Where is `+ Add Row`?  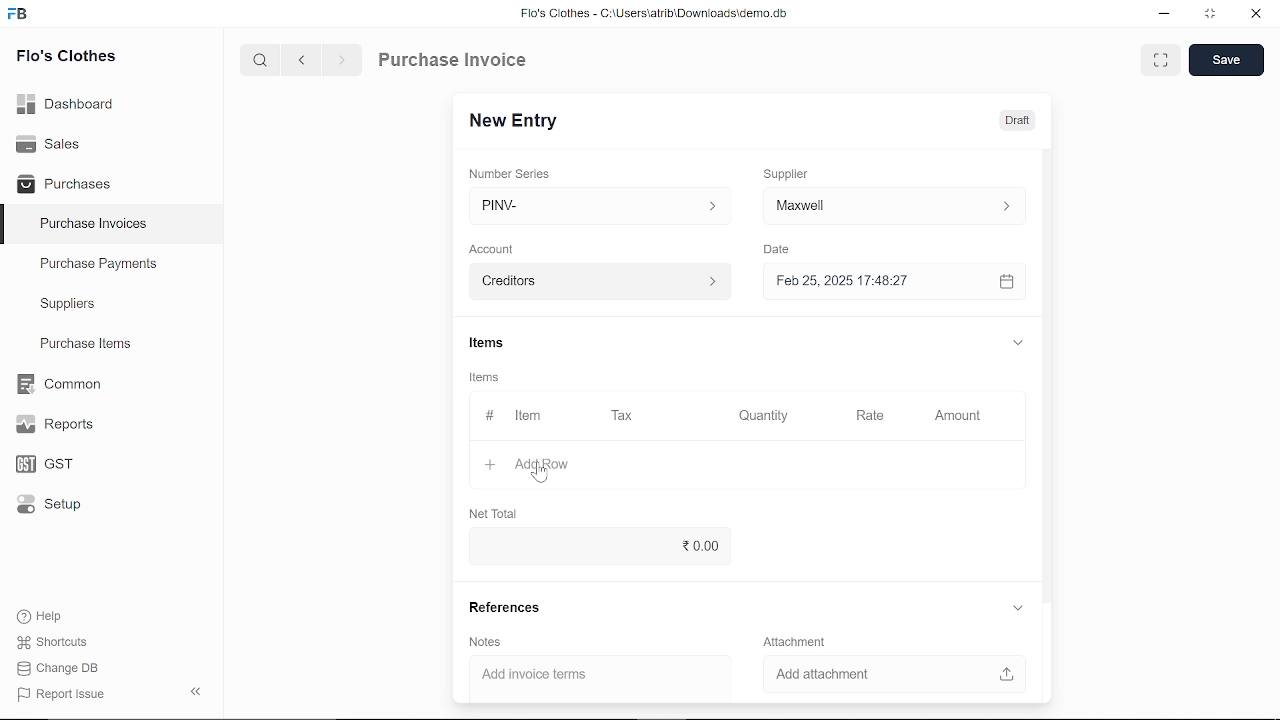
+ Add Row is located at coordinates (521, 463).